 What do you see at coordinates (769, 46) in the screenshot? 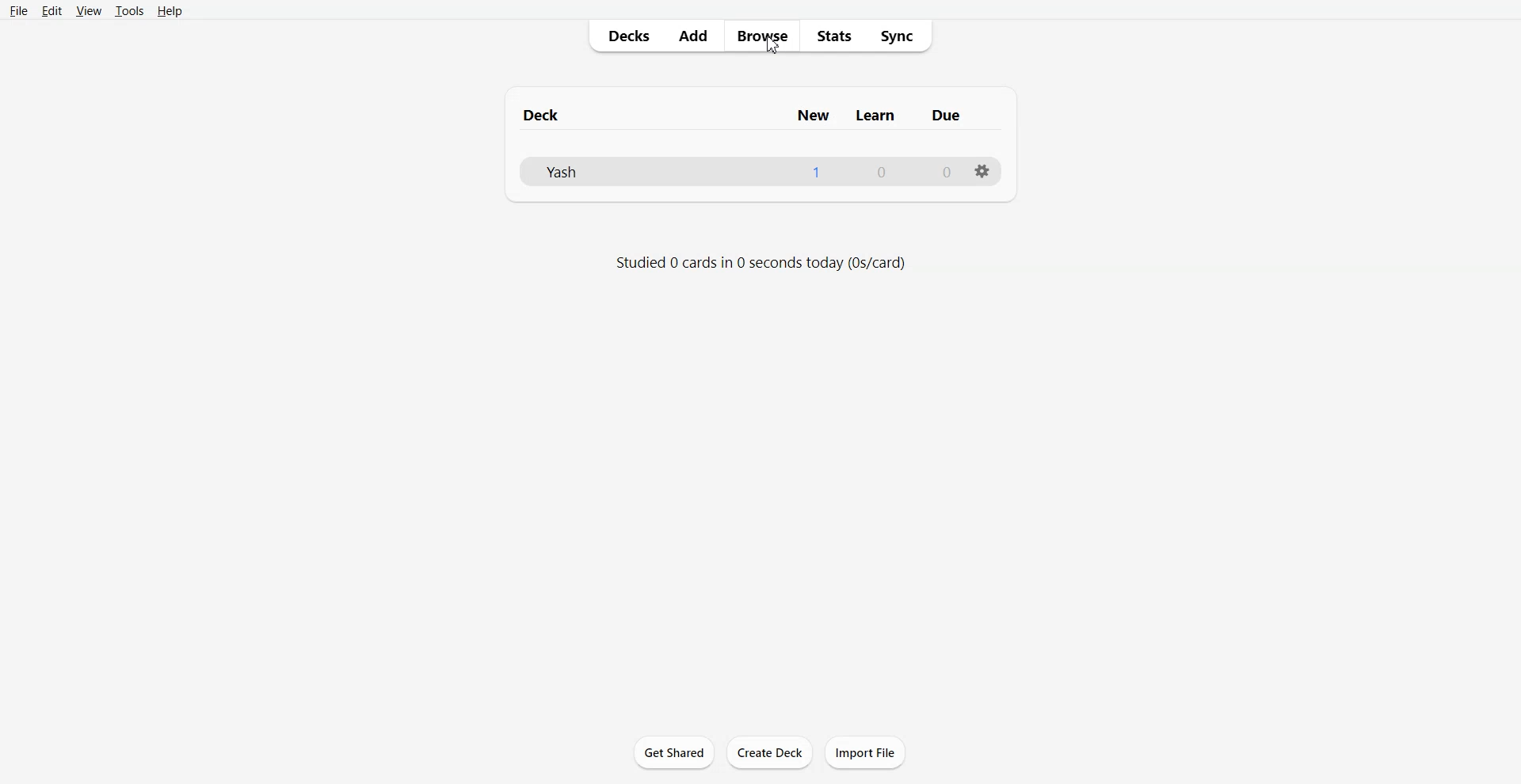
I see `Seconds` at bounding box center [769, 46].